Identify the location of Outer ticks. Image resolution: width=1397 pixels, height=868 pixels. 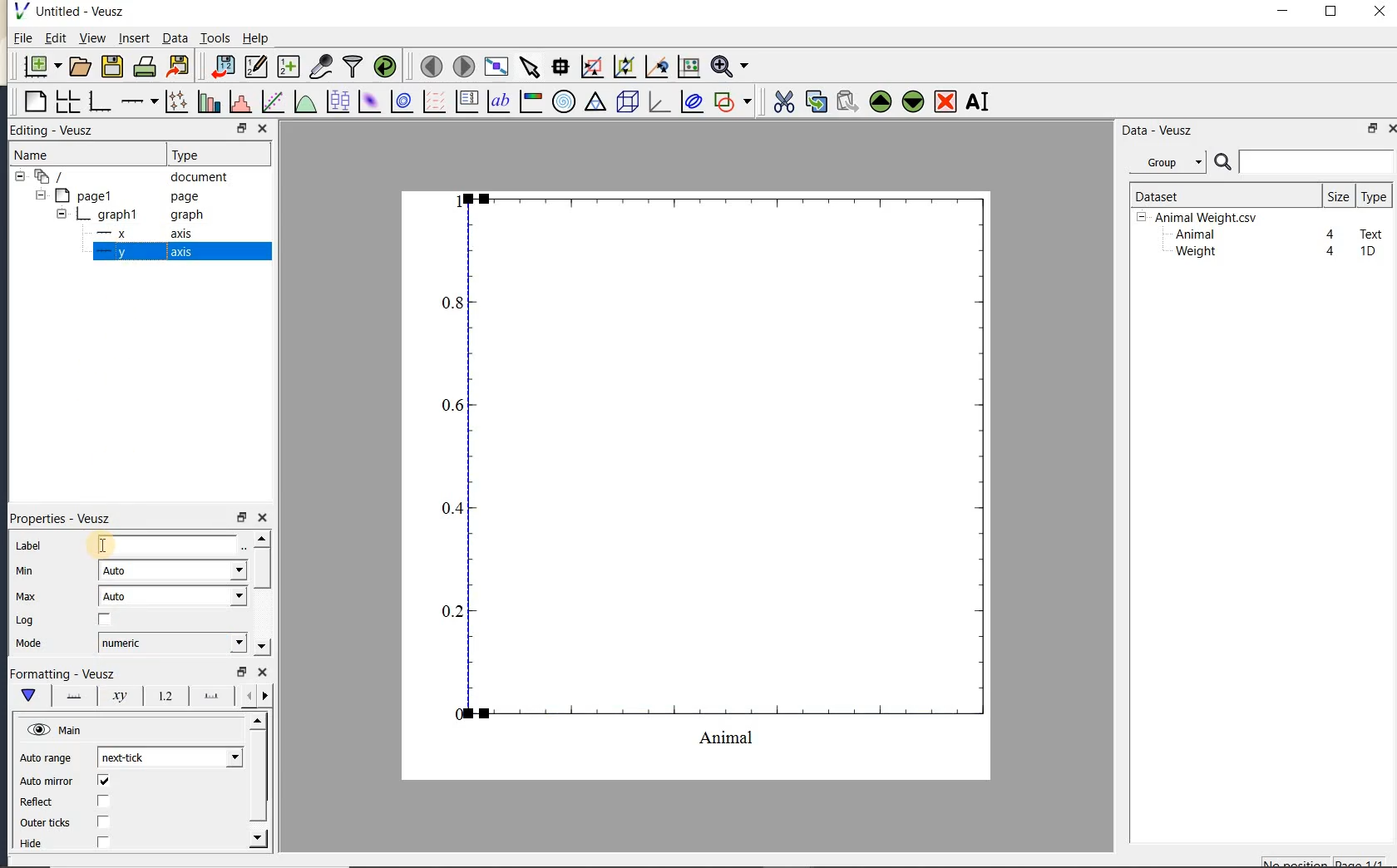
(47, 822).